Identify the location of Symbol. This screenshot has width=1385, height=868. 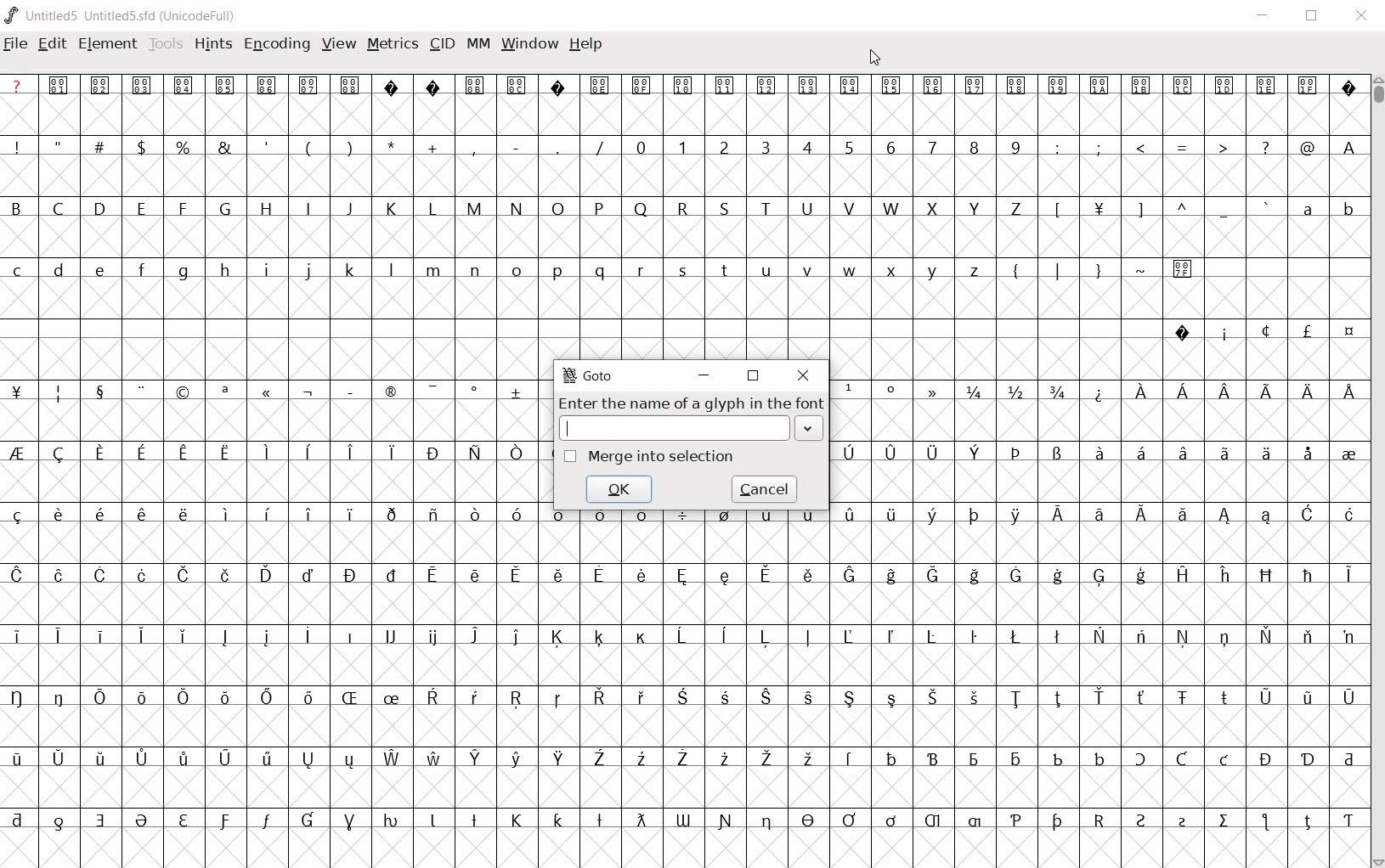
(518, 514).